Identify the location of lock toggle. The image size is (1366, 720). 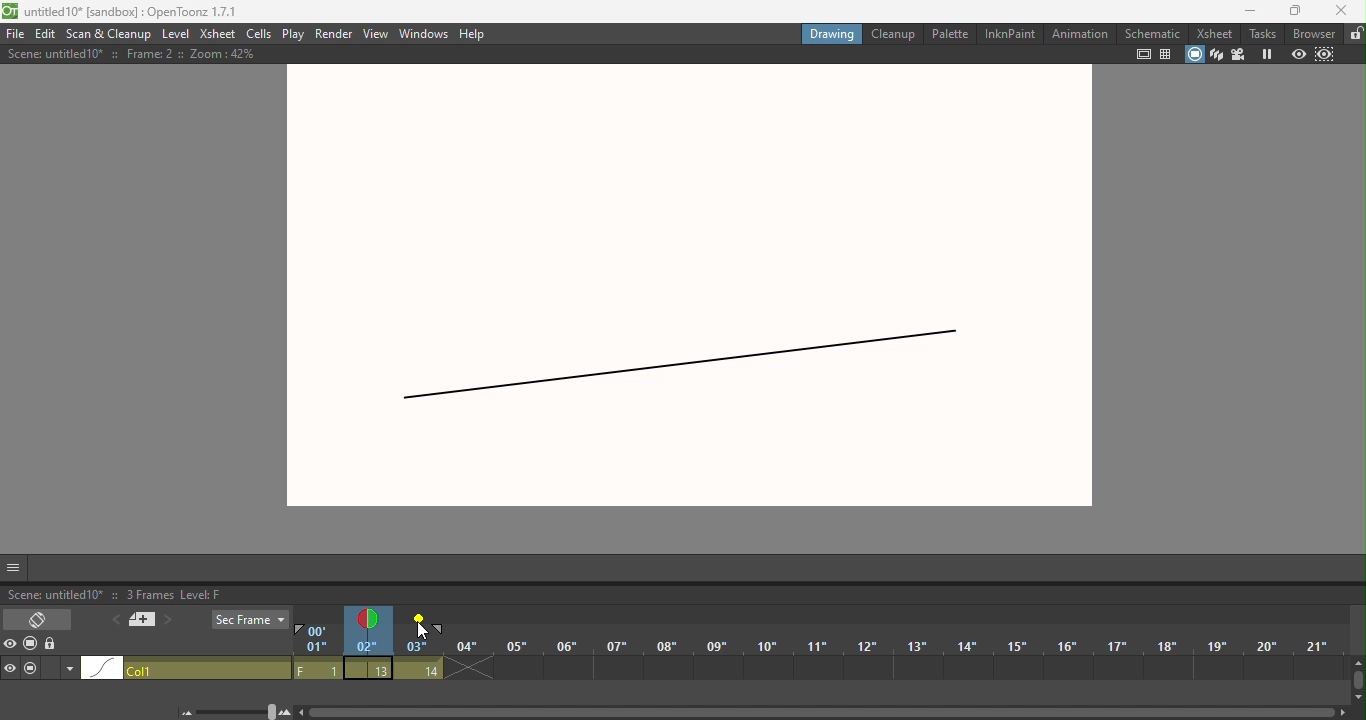
(52, 647).